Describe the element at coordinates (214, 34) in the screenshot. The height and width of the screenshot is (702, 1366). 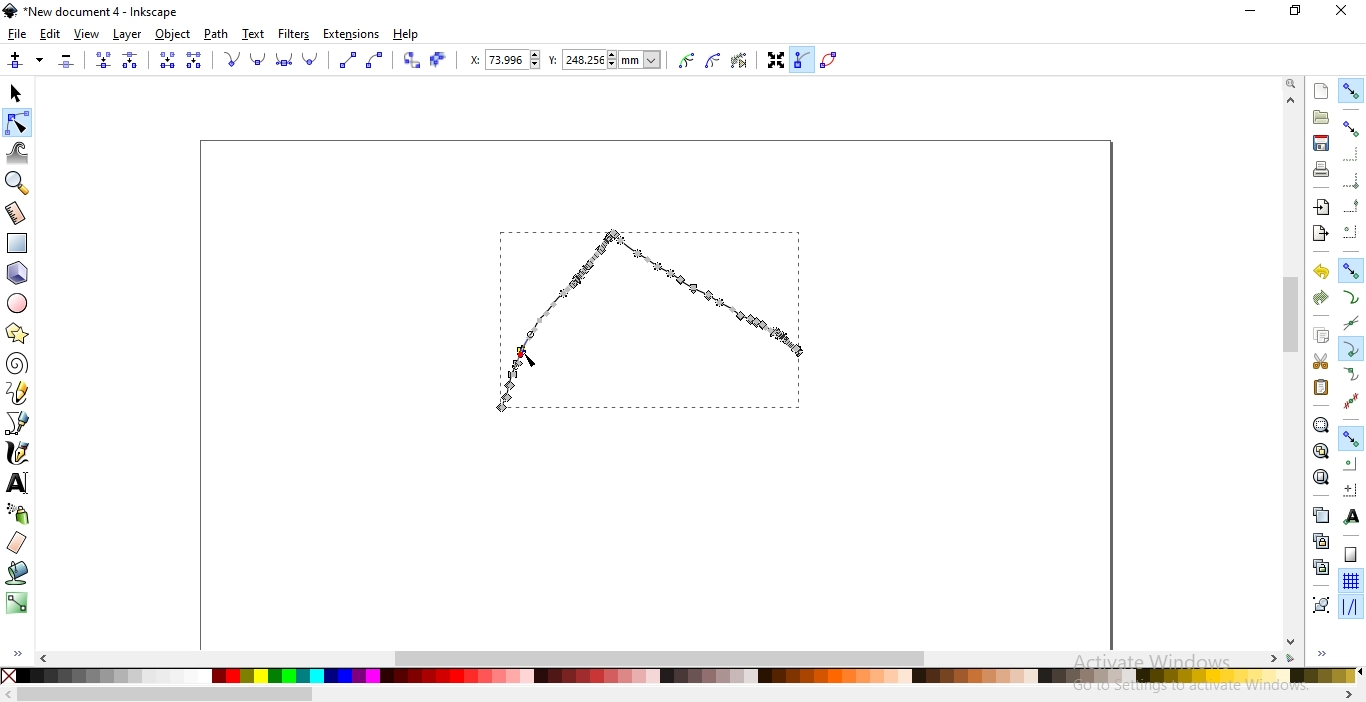
I see `path` at that location.